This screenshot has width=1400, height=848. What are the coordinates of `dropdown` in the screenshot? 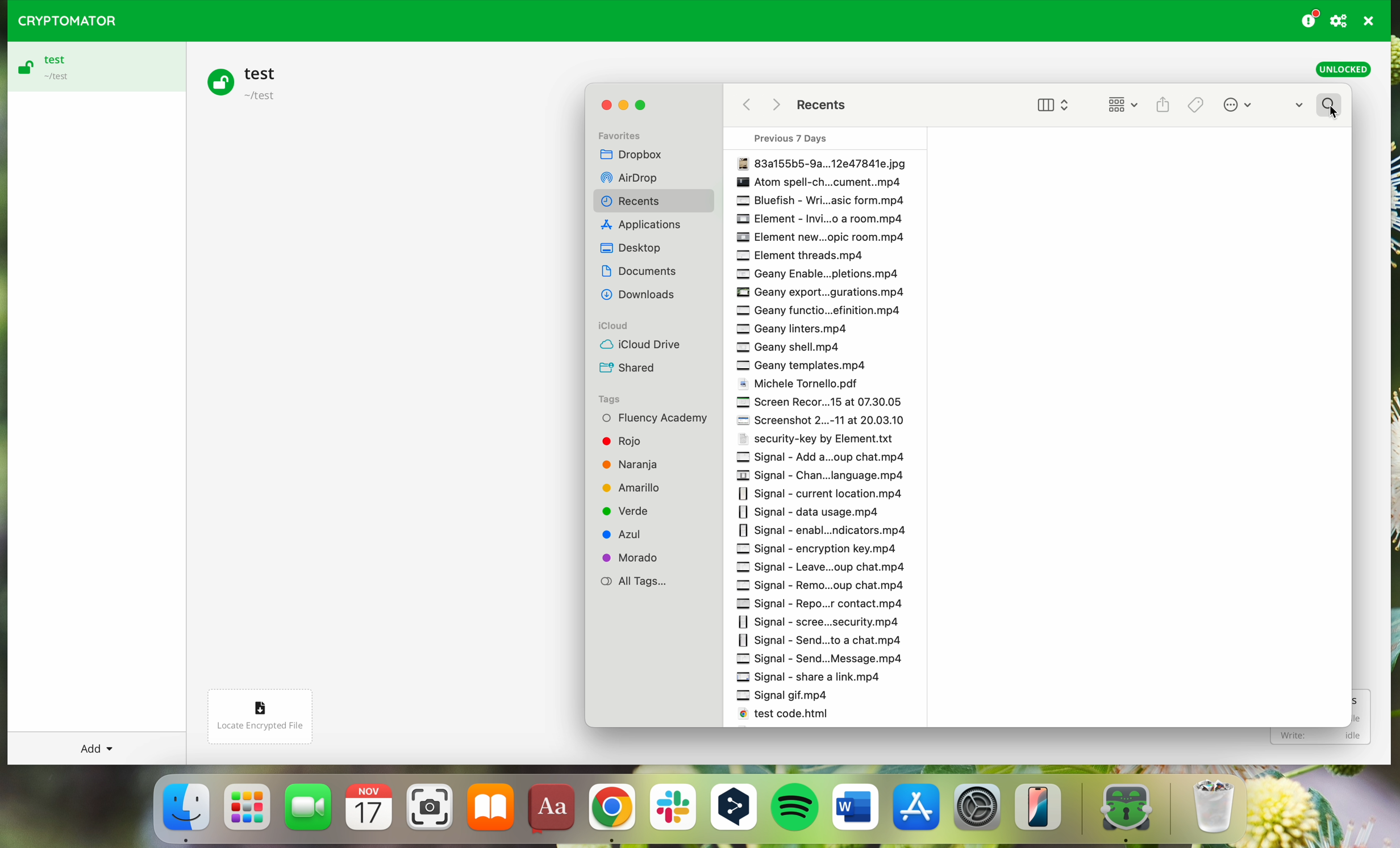 It's located at (1297, 107).